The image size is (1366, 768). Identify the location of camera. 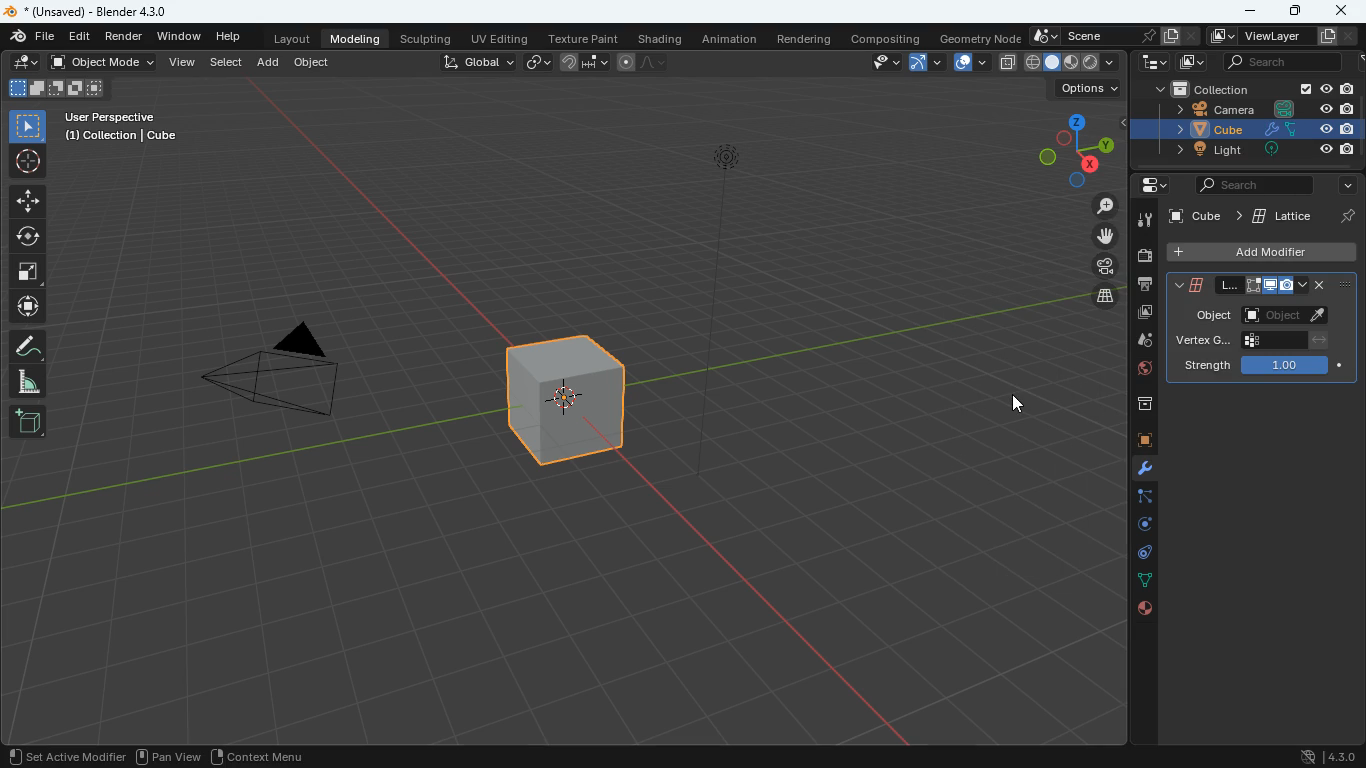
(1144, 258).